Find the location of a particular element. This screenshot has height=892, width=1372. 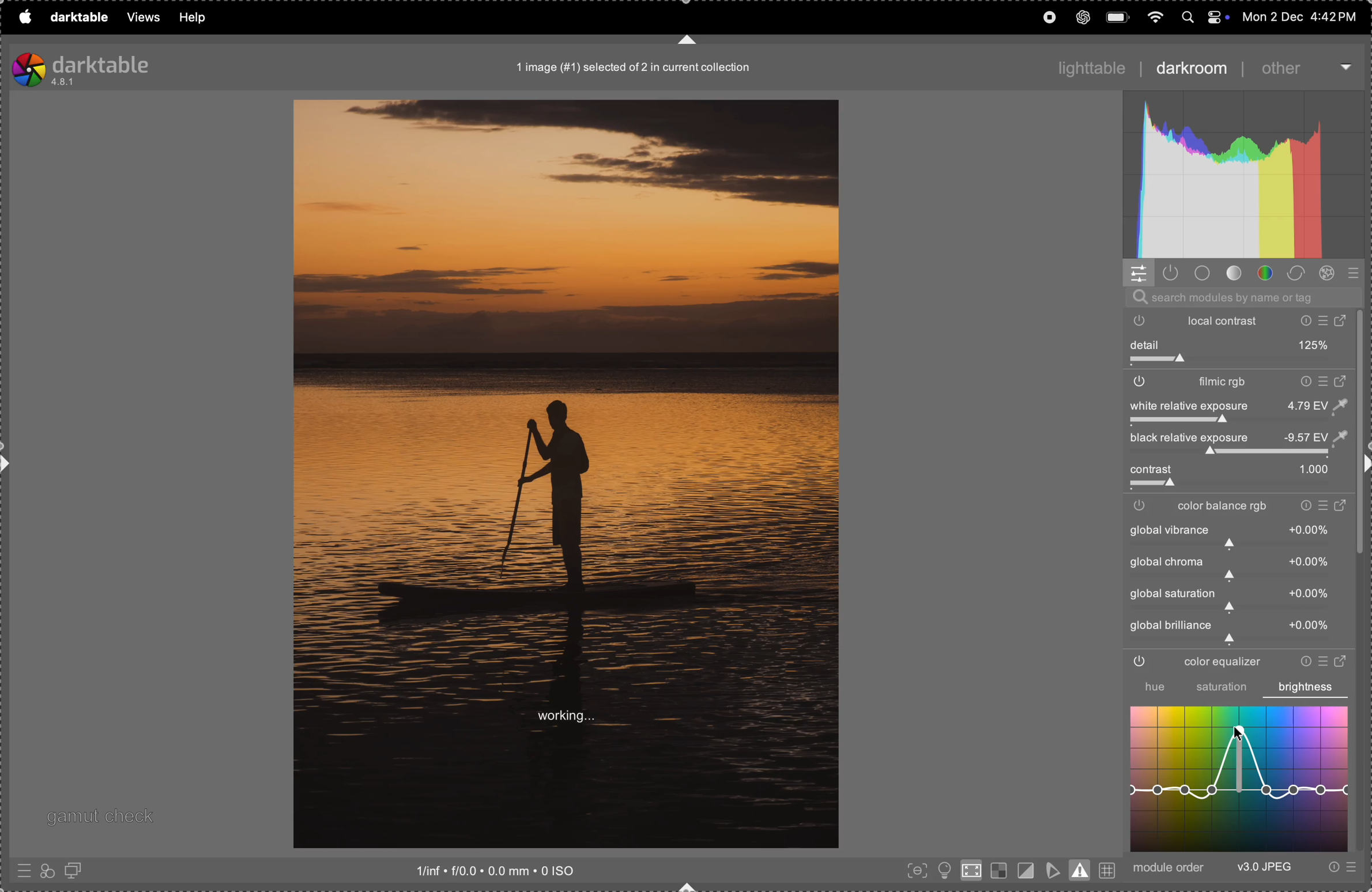

correct is located at coordinates (1299, 273).